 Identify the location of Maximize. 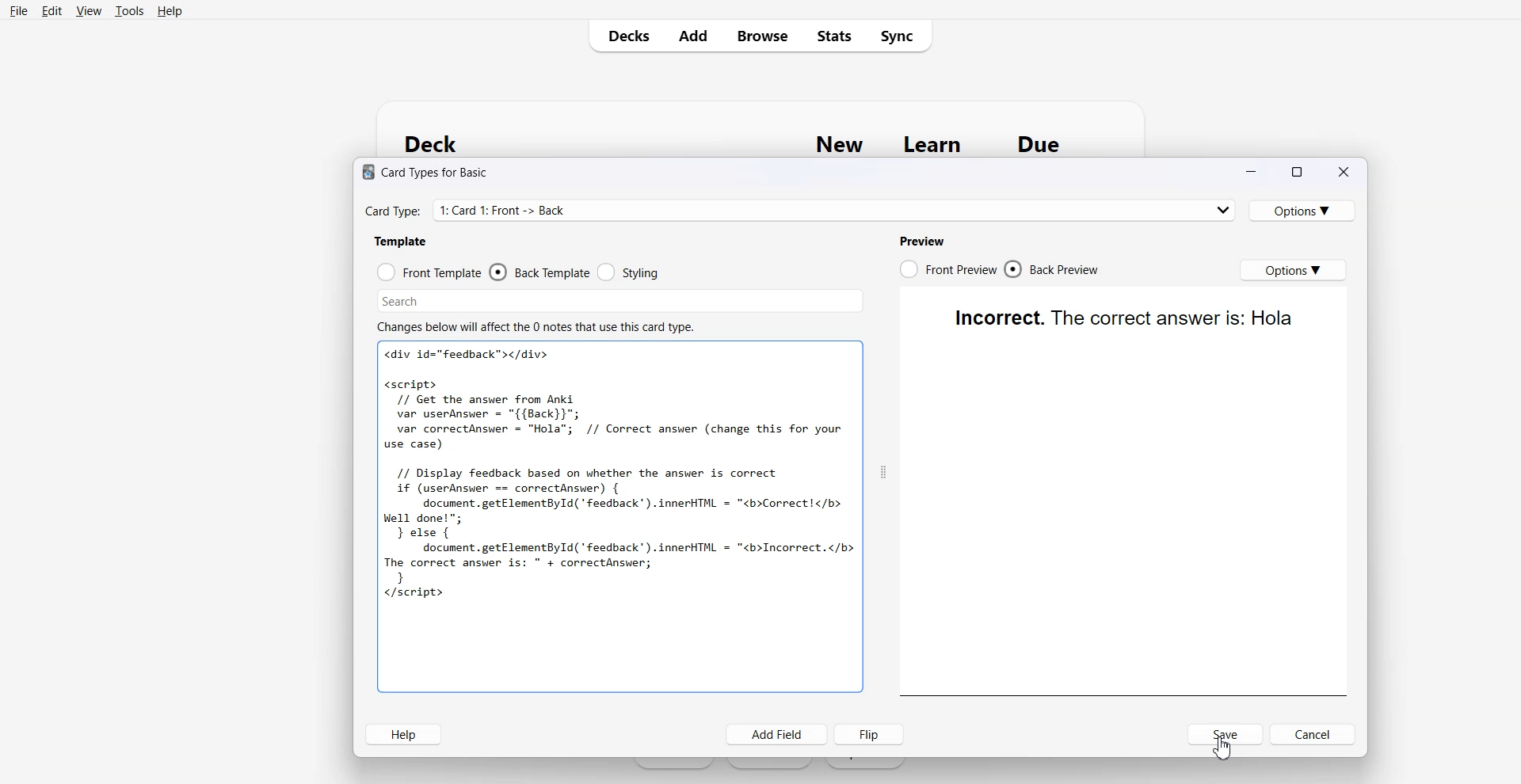
(1295, 173).